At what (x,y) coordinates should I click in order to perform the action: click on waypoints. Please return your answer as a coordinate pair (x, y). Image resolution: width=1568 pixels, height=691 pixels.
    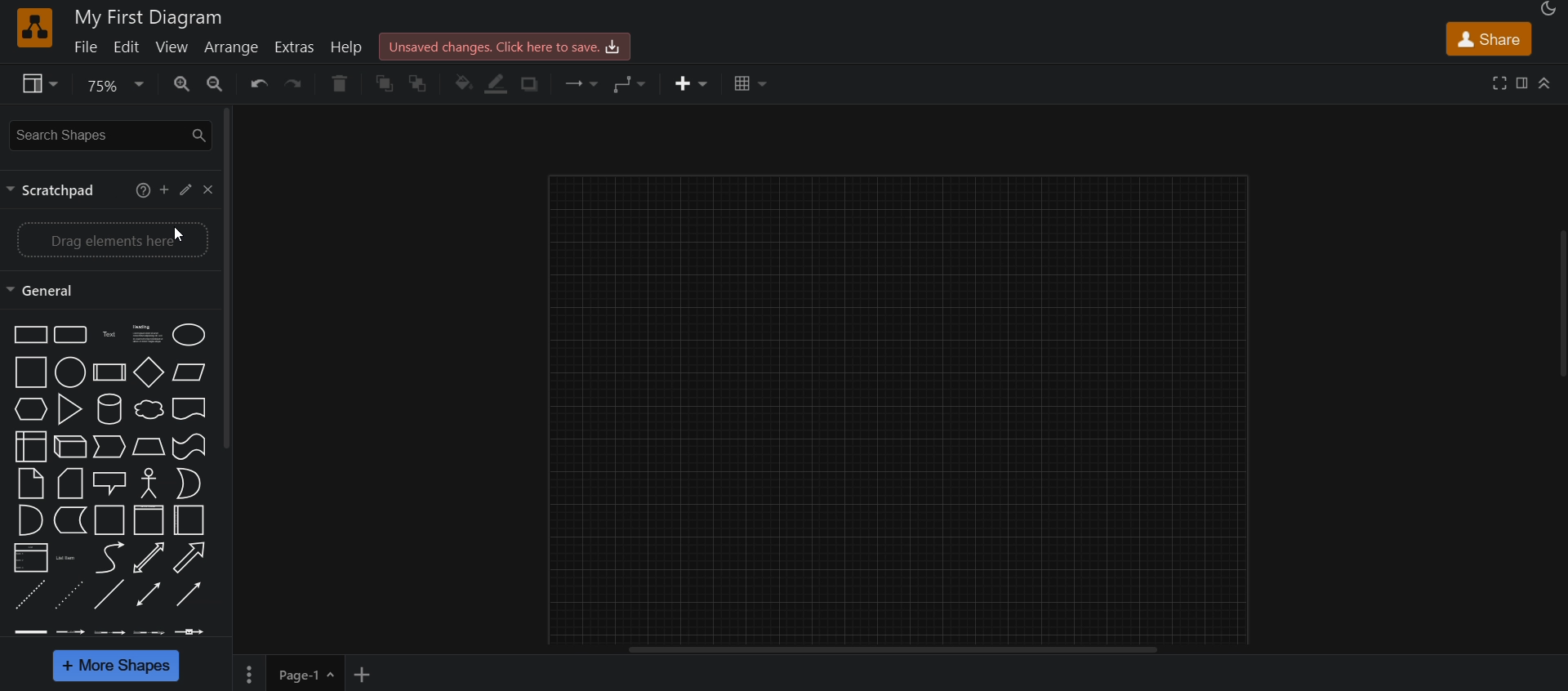
    Looking at the image, I should click on (637, 84).